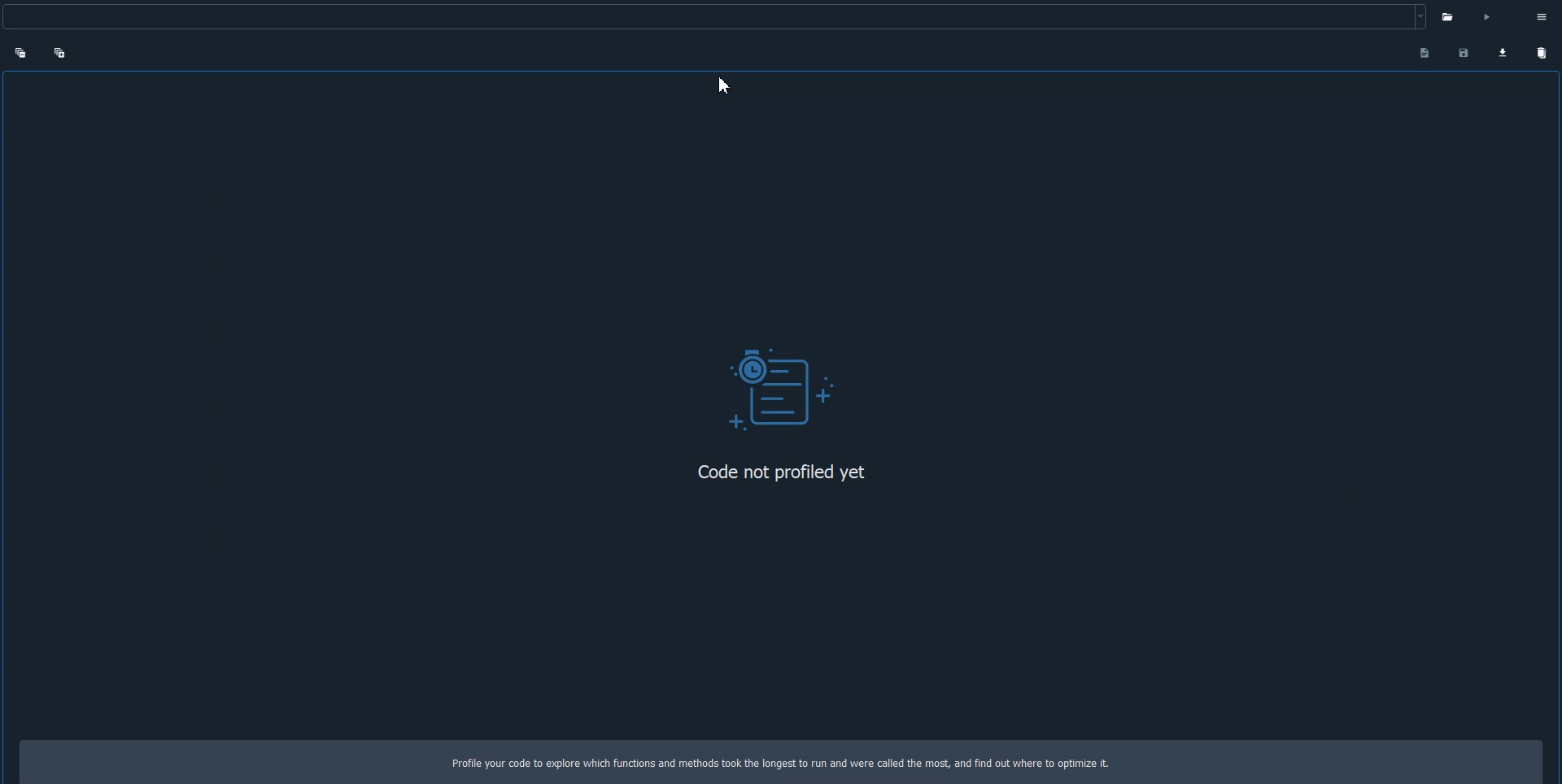 The image size is (1562, 784). What do you see at coordinates (68, 55) in the screenshot?
I see `Expand one level up` at bounding box center [68, 55].